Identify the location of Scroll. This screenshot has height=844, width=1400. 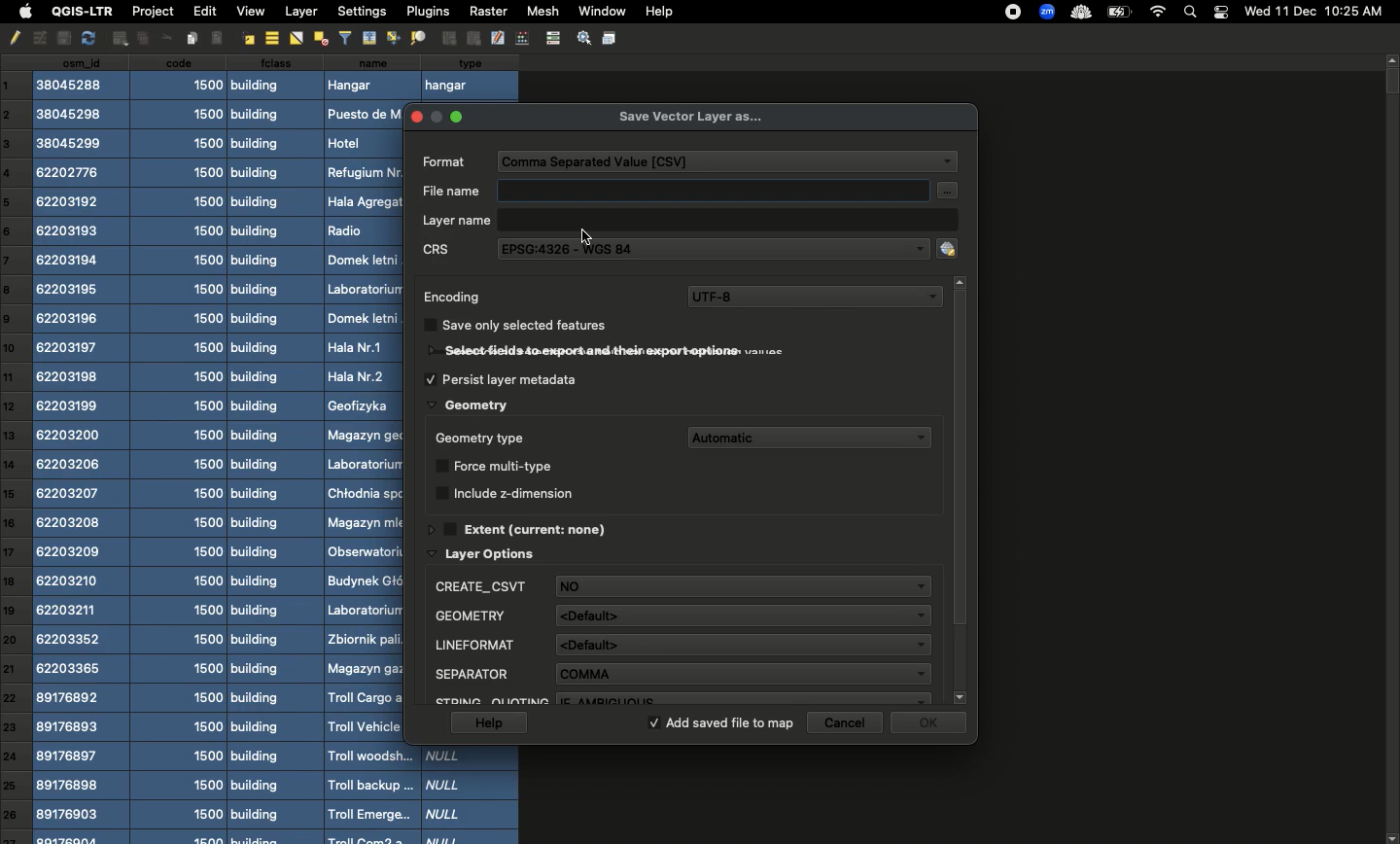
(1391, 448).